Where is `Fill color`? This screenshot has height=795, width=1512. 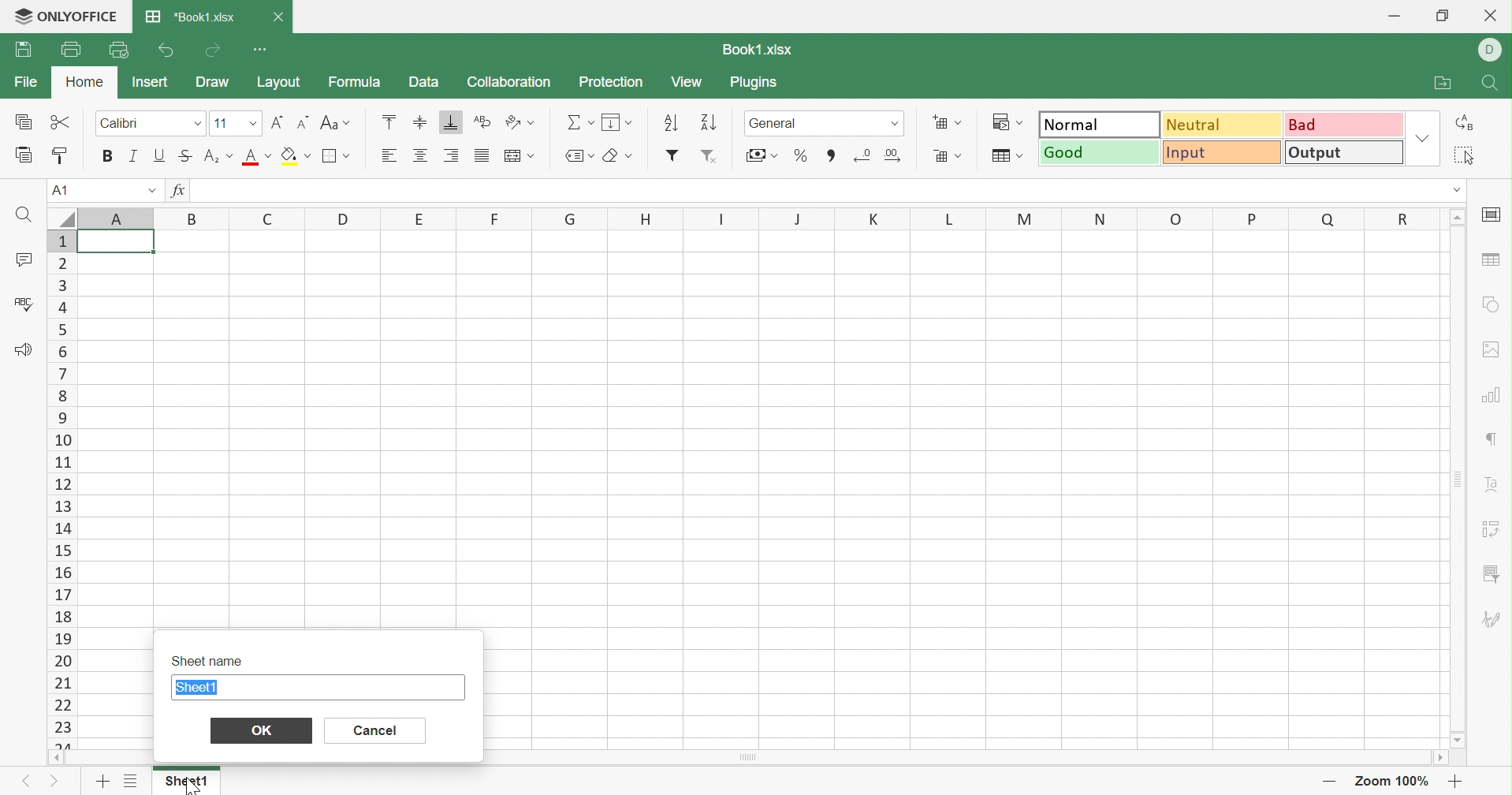 Fill color is located at coordinates (298, 155).